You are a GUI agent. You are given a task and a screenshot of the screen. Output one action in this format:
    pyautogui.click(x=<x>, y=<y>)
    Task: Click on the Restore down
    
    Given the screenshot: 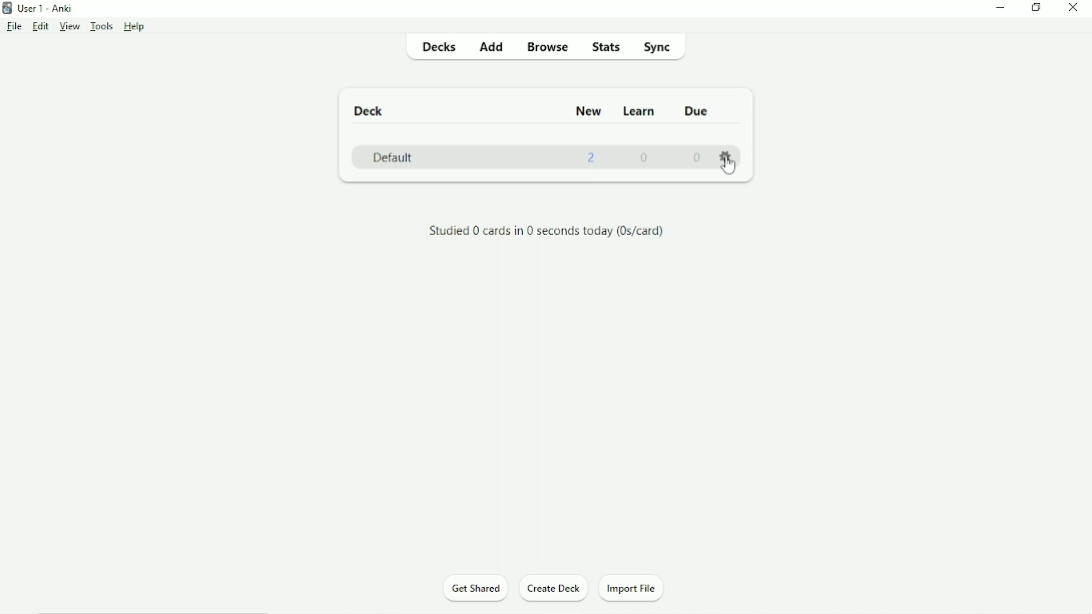 What is the action you would take?
    pyautogui.click(x=1035, y=7)
    